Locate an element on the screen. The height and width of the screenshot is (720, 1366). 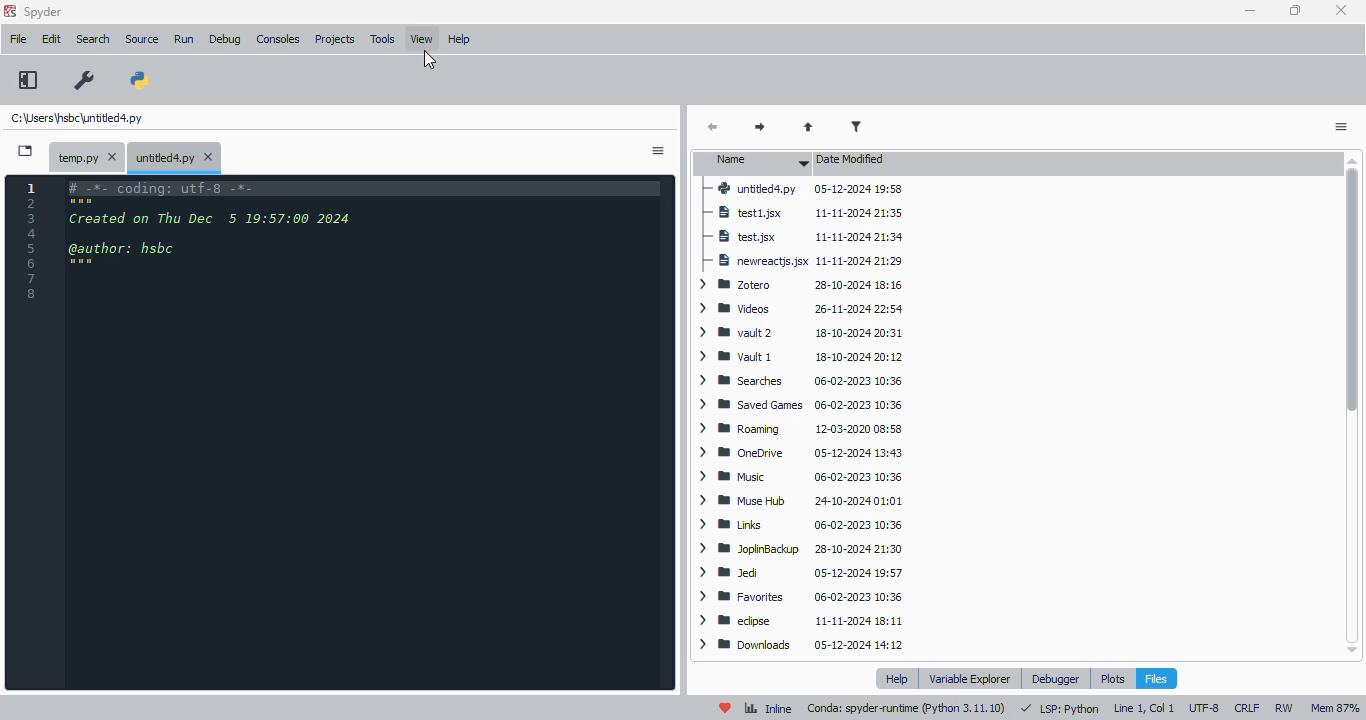
options is located at coordinates (1340, 128).